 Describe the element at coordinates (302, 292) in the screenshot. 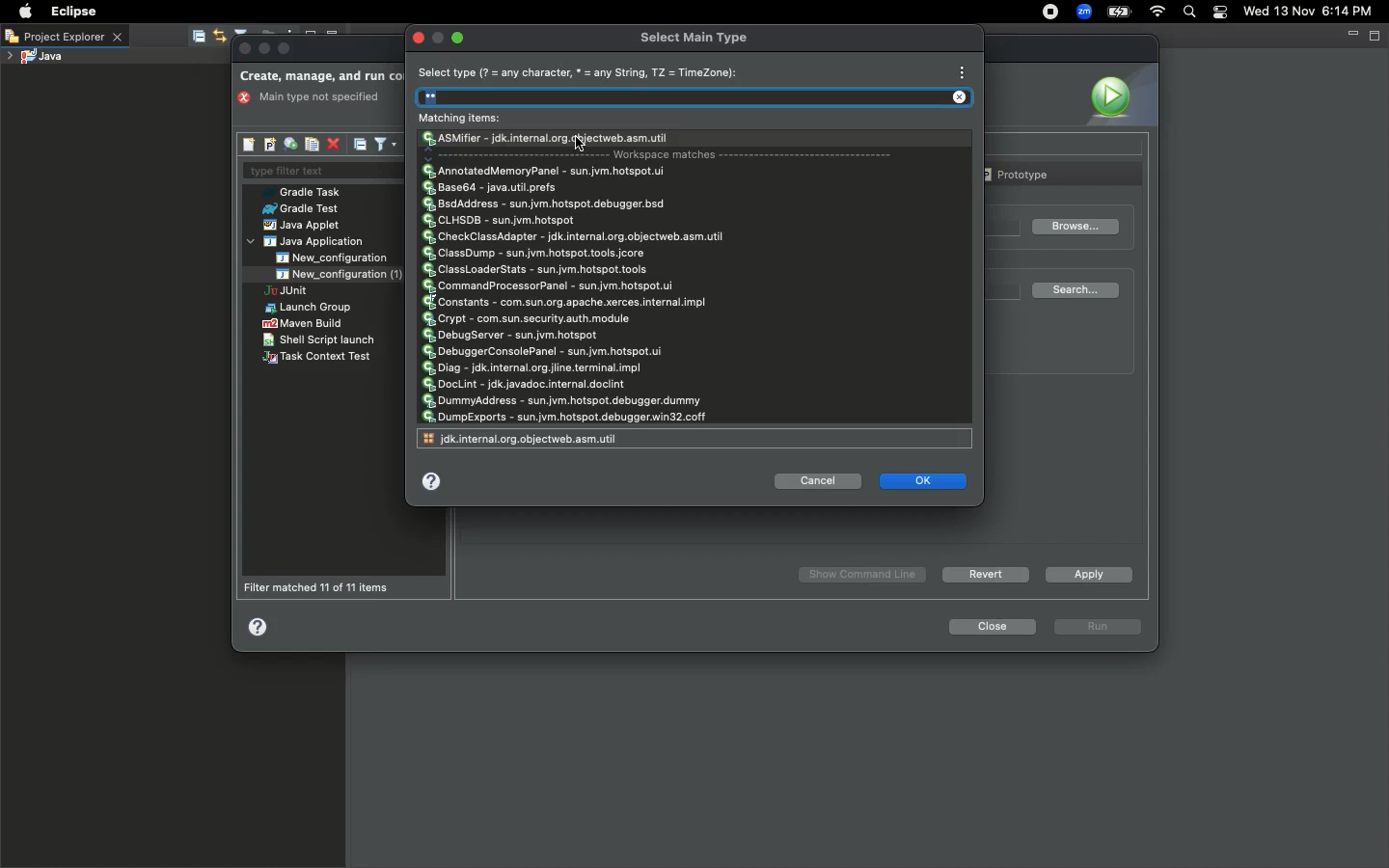

I see `JUnit` at that location.